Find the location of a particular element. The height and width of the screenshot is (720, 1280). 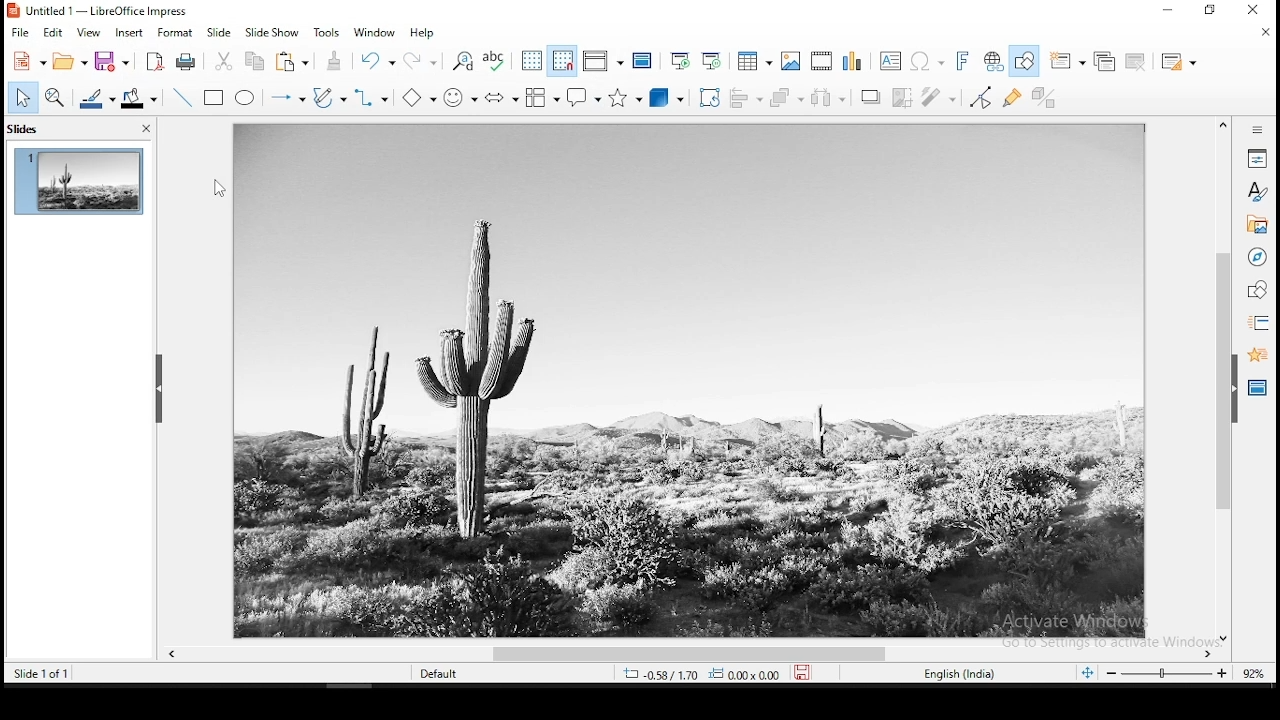

display views is located at coordinates (603, 60).